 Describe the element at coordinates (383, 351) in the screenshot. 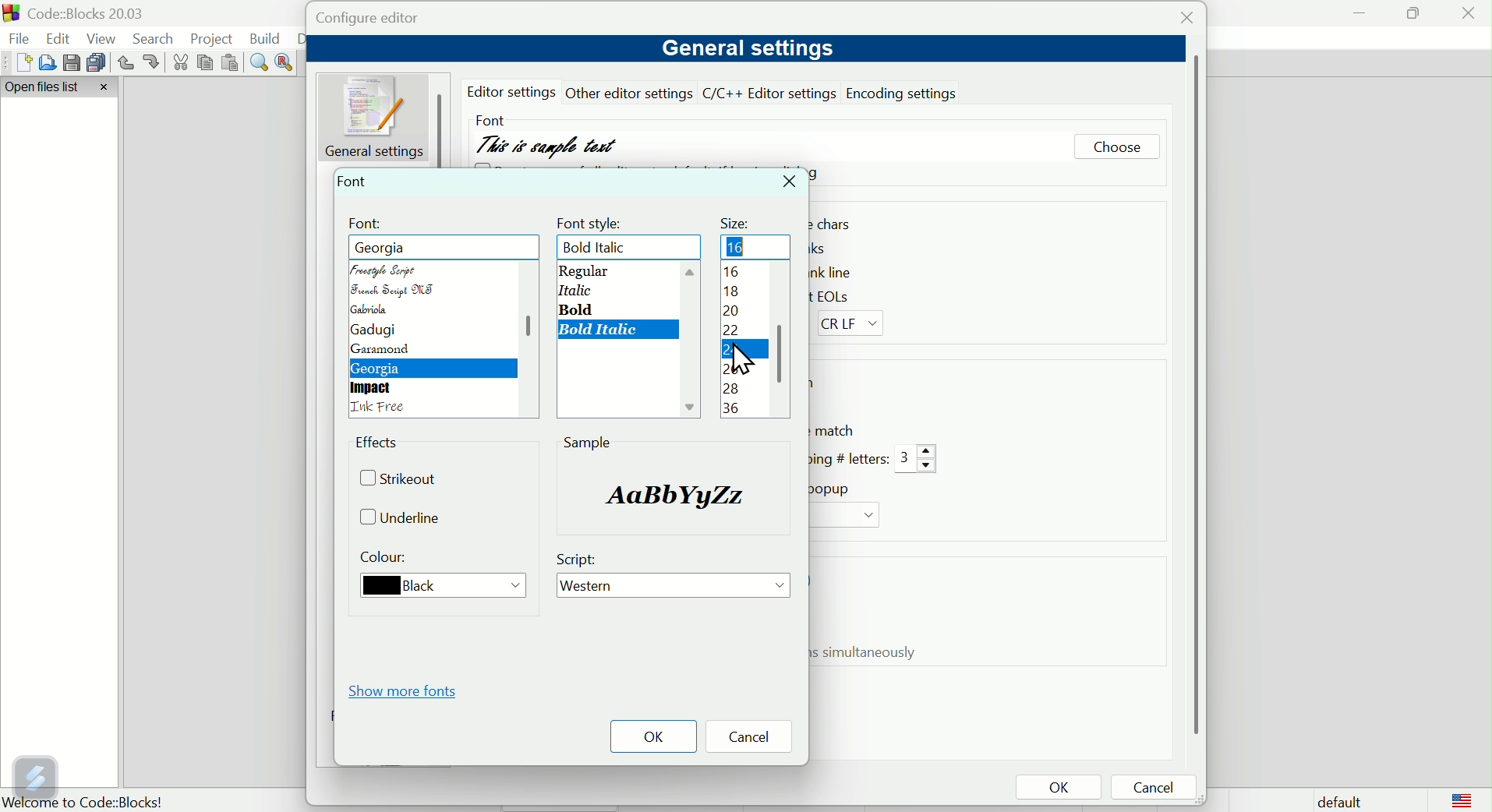

I see `Garamond` at that location.